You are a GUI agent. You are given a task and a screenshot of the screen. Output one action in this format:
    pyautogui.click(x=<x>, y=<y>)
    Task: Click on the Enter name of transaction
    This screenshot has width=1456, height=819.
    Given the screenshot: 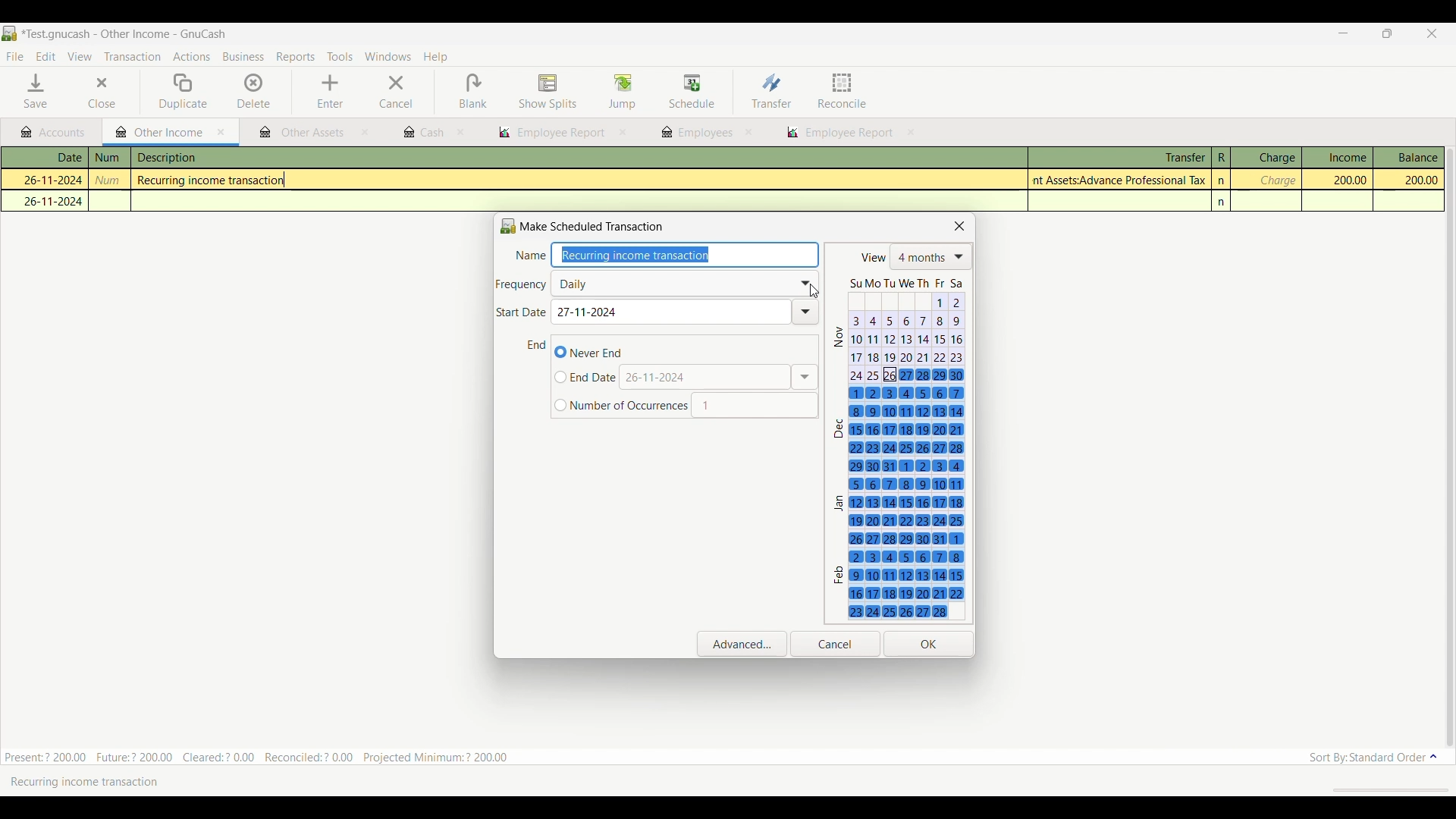 What is the action you would take?
    pyautogui.click(x=685, y=256)
    